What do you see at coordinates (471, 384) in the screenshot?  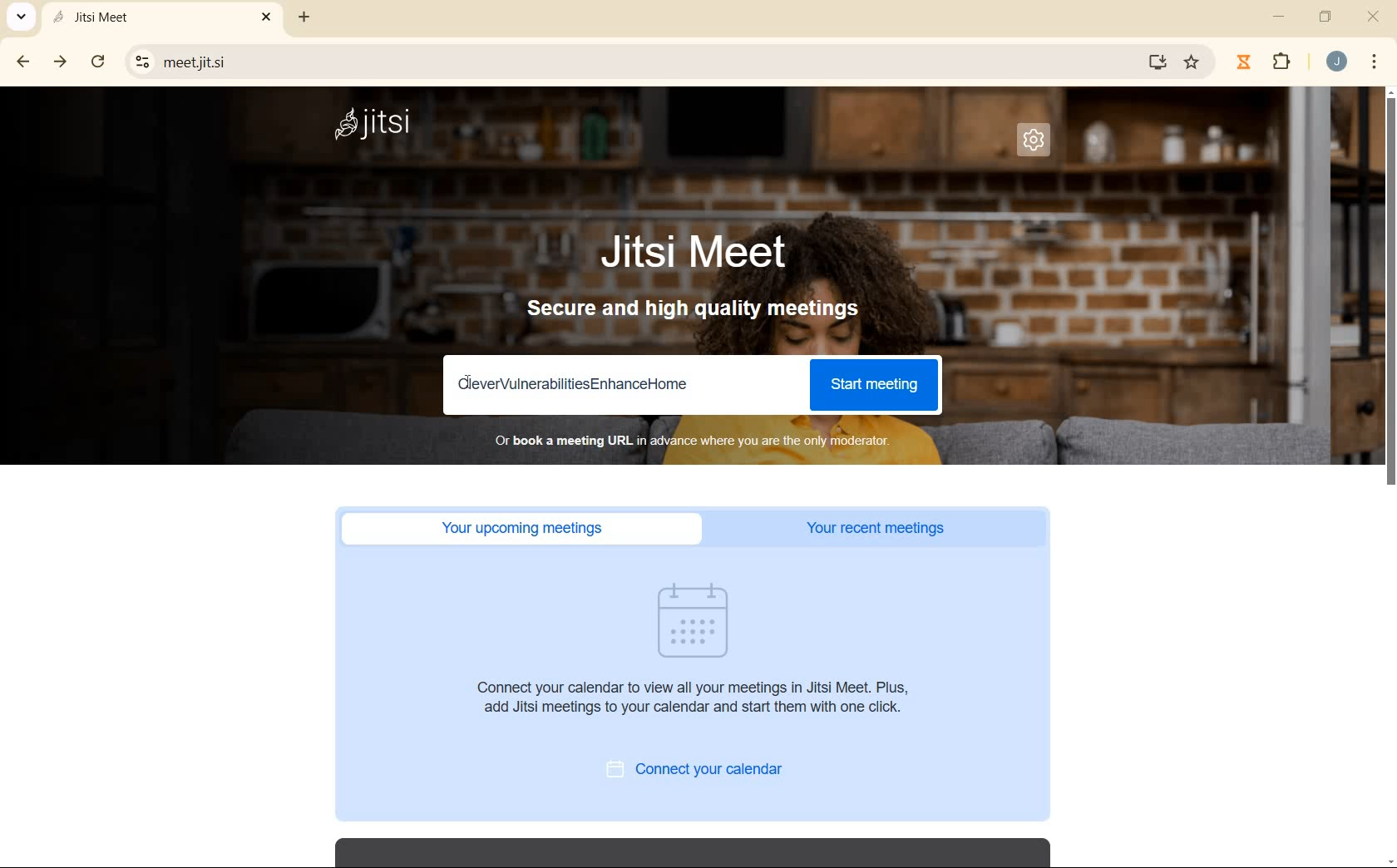 I see `cursor` at bounding box center [471, 384].